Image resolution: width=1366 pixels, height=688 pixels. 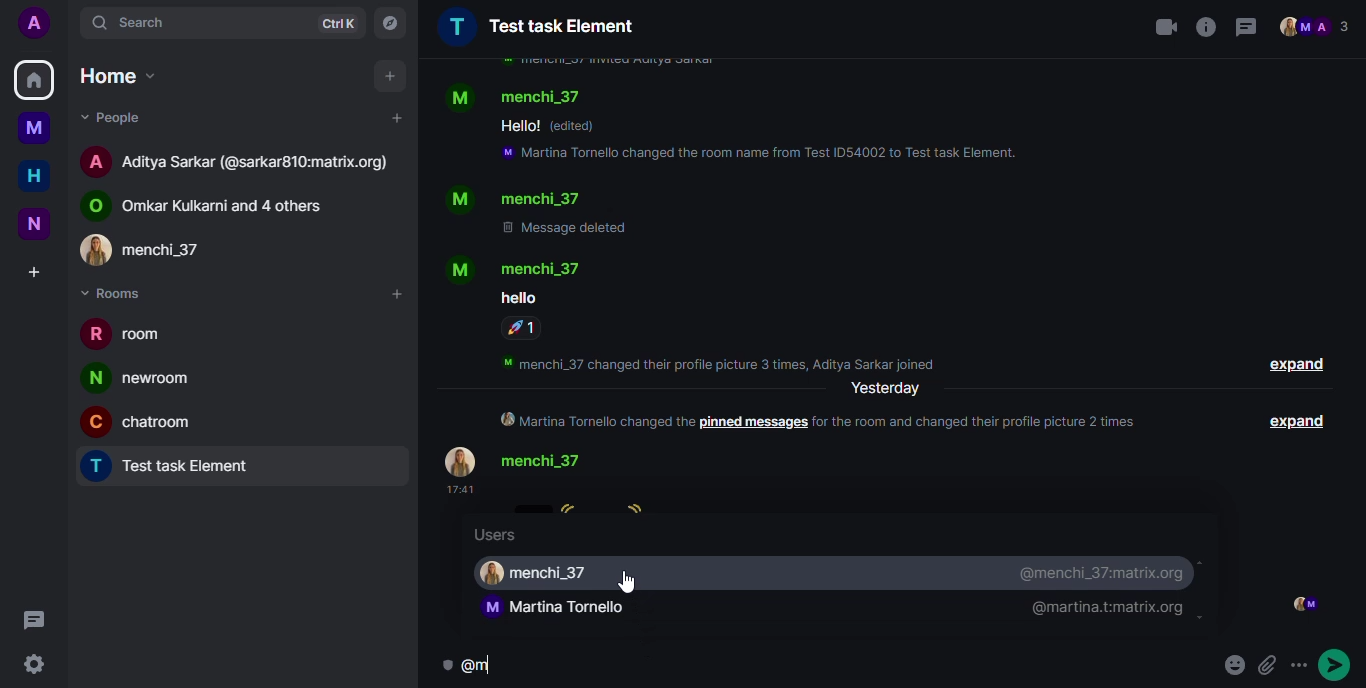 What do you see at coordinates (1344, 662) in the screenshot?
I see `more` at bounding box center [1344, 662].